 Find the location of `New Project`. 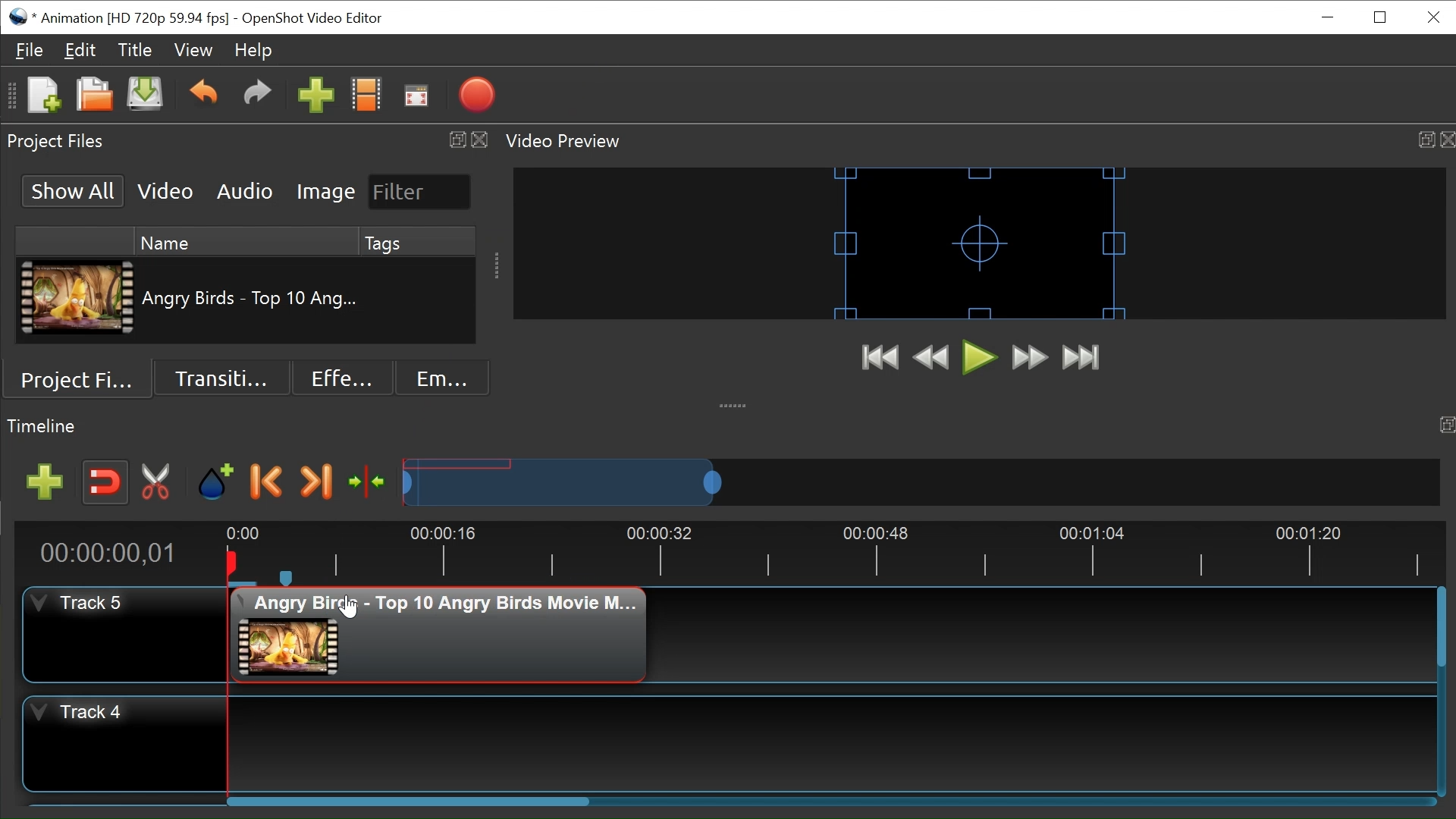

New Project is located at coordinates (43, 96).